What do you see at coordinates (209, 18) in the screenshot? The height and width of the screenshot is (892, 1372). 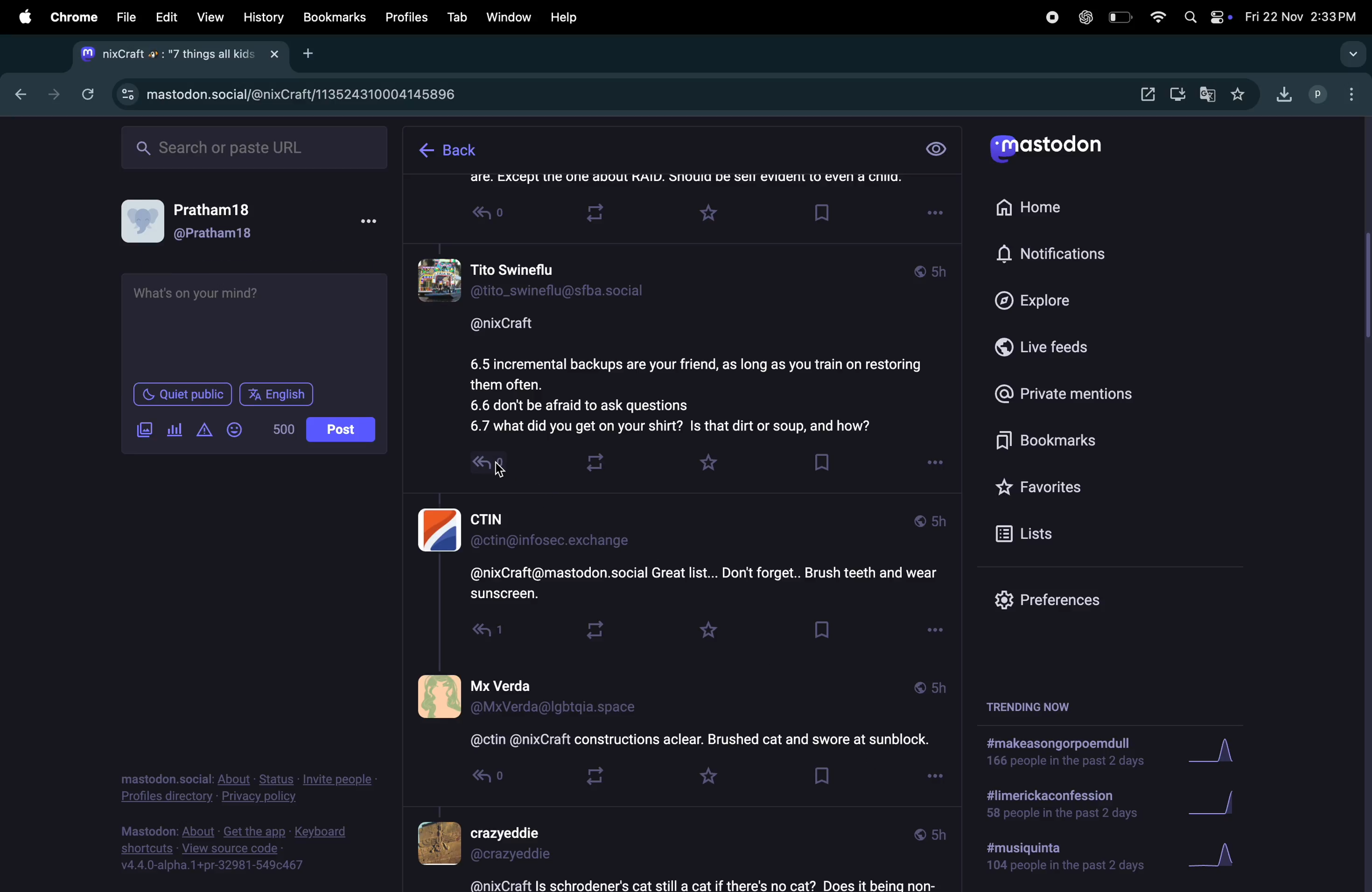 I see `view` at bounding box center [209, 18].